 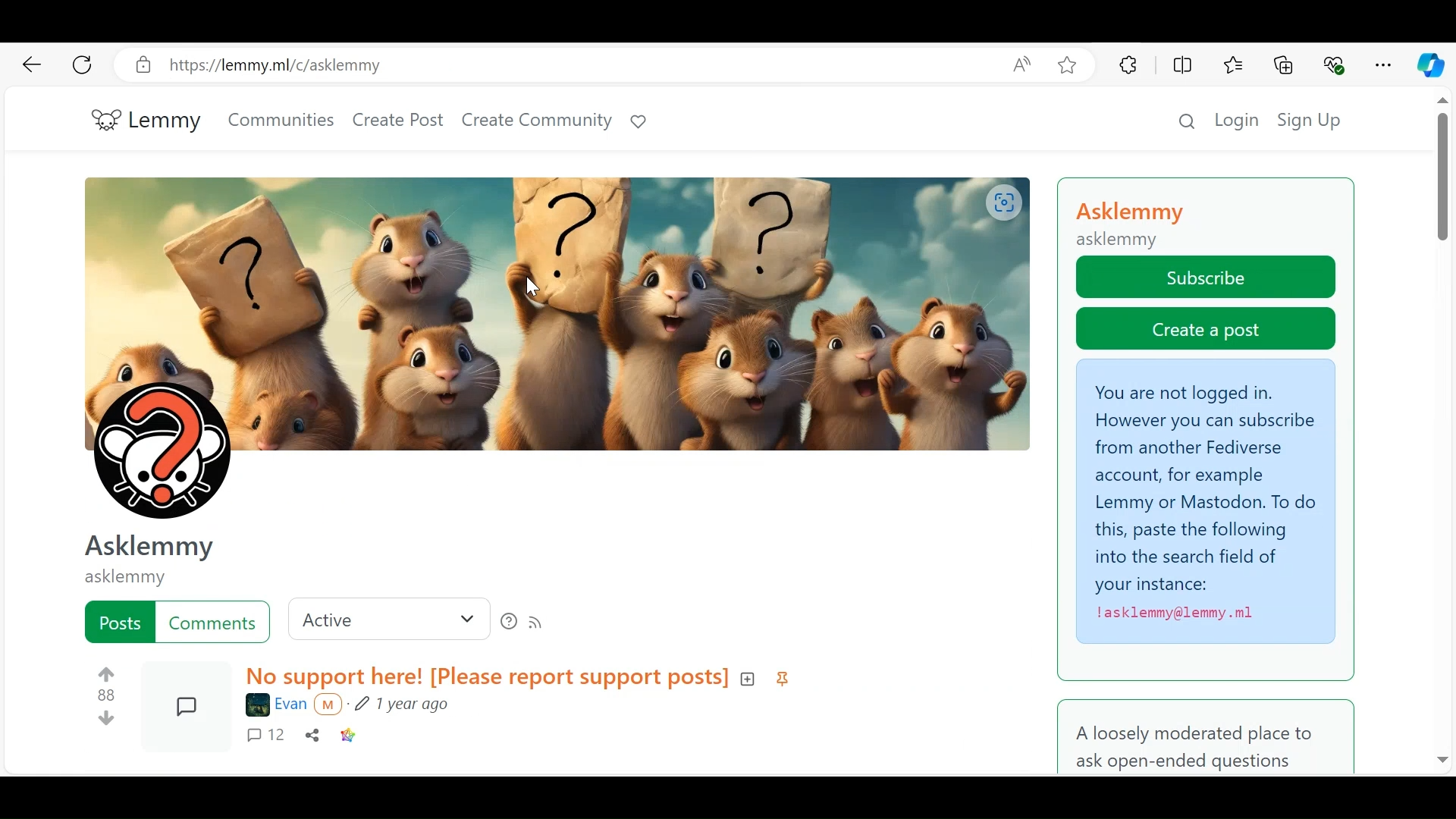 I want to click on sorting help, so click(x=509, y=623).